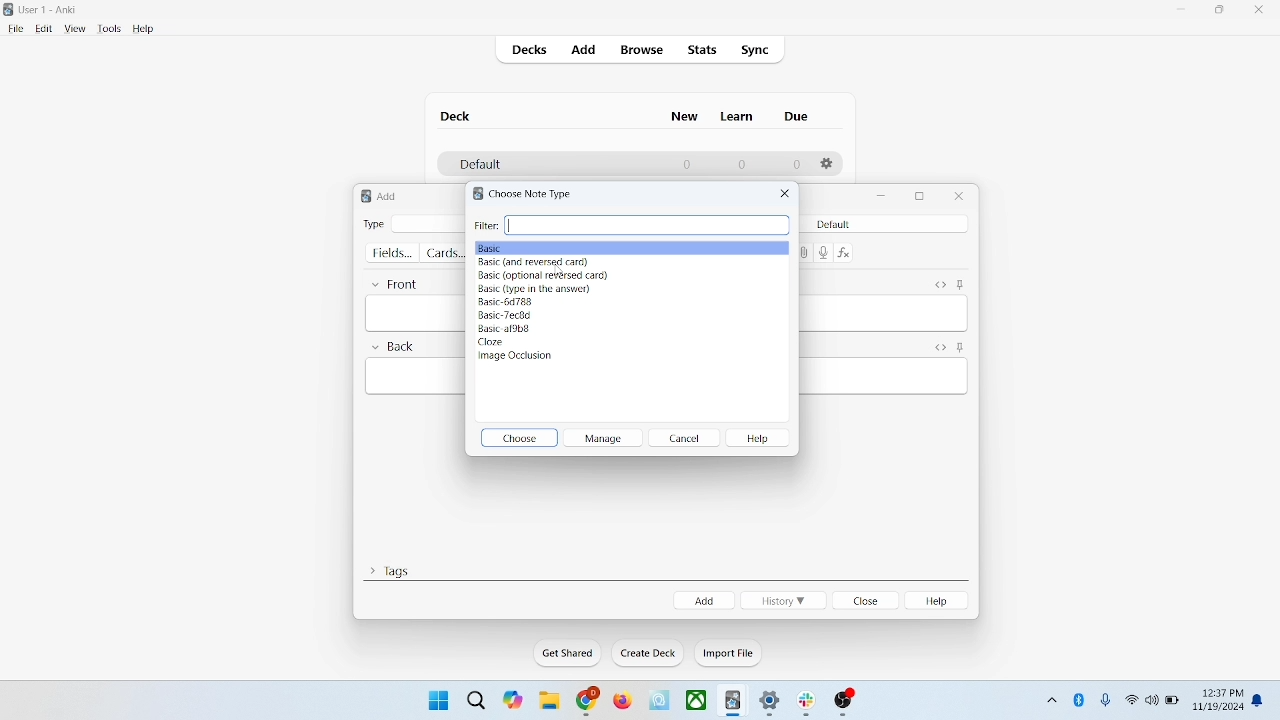 Image resolution: width=1280 pixels, height=720 pixels. Describe the element at coordinates (399, 283) in the screenshot. I see `front` at that location.